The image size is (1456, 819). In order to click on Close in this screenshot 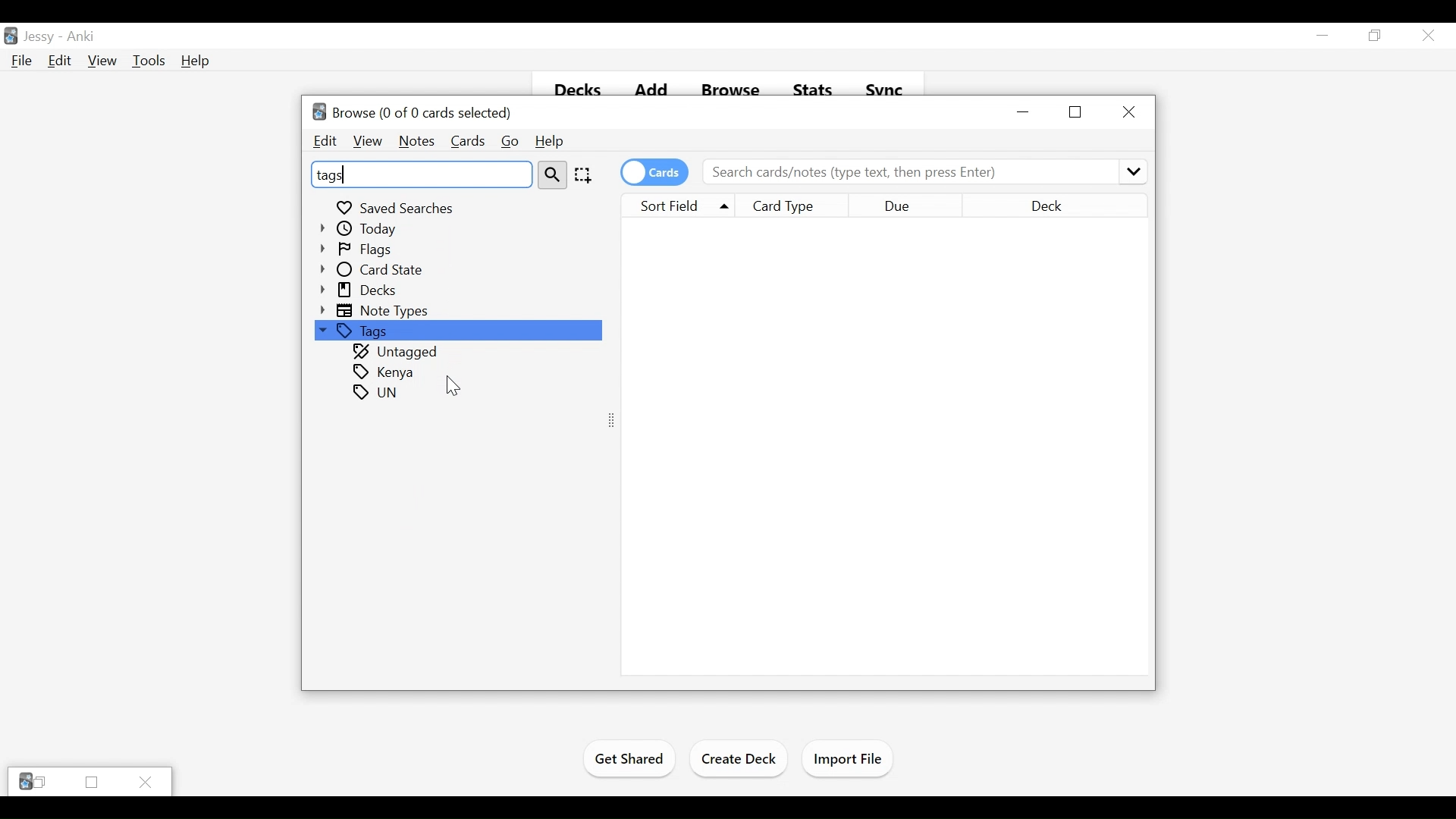, I will do `click(1426, 36)`.